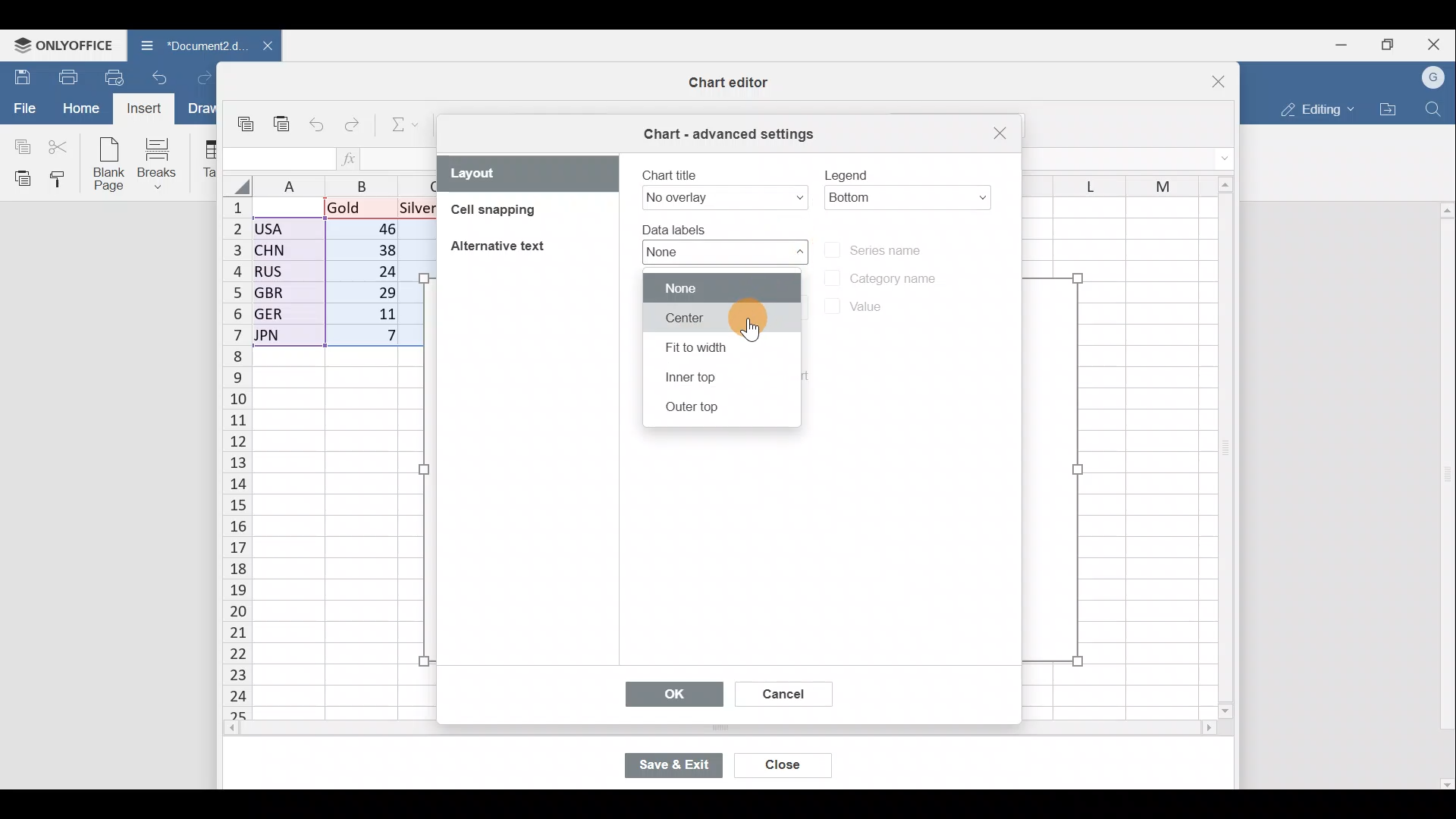 This screenshot has height=819, width=1456. Describe the element at coordinates (249, 126) in the screenshot. I see `Copy` at that location.